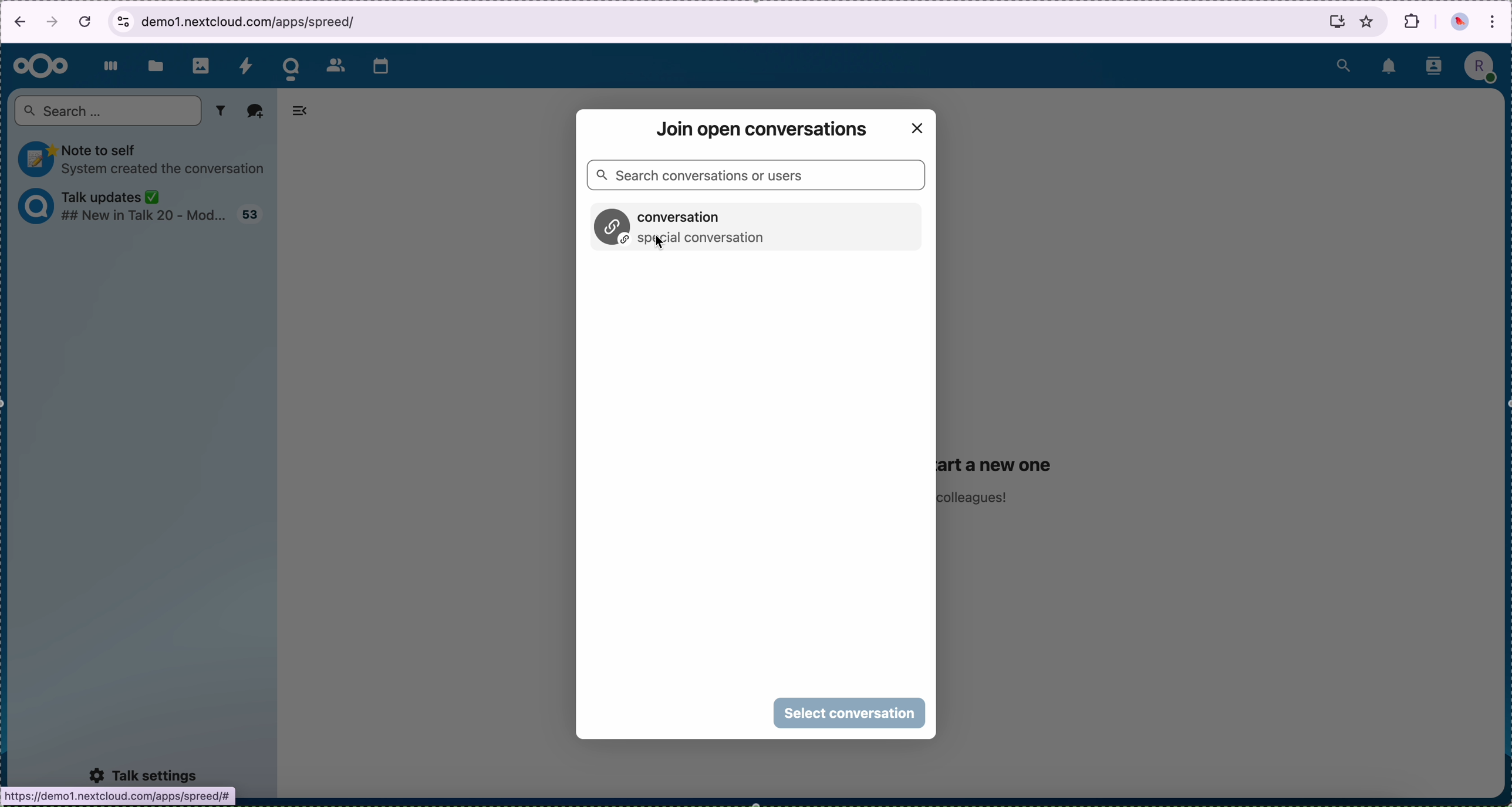 The width and height of the screenshot is (1512, 807). Describe the element at coordinates (1341, 65) in the screenshot. I see `search` at that location.